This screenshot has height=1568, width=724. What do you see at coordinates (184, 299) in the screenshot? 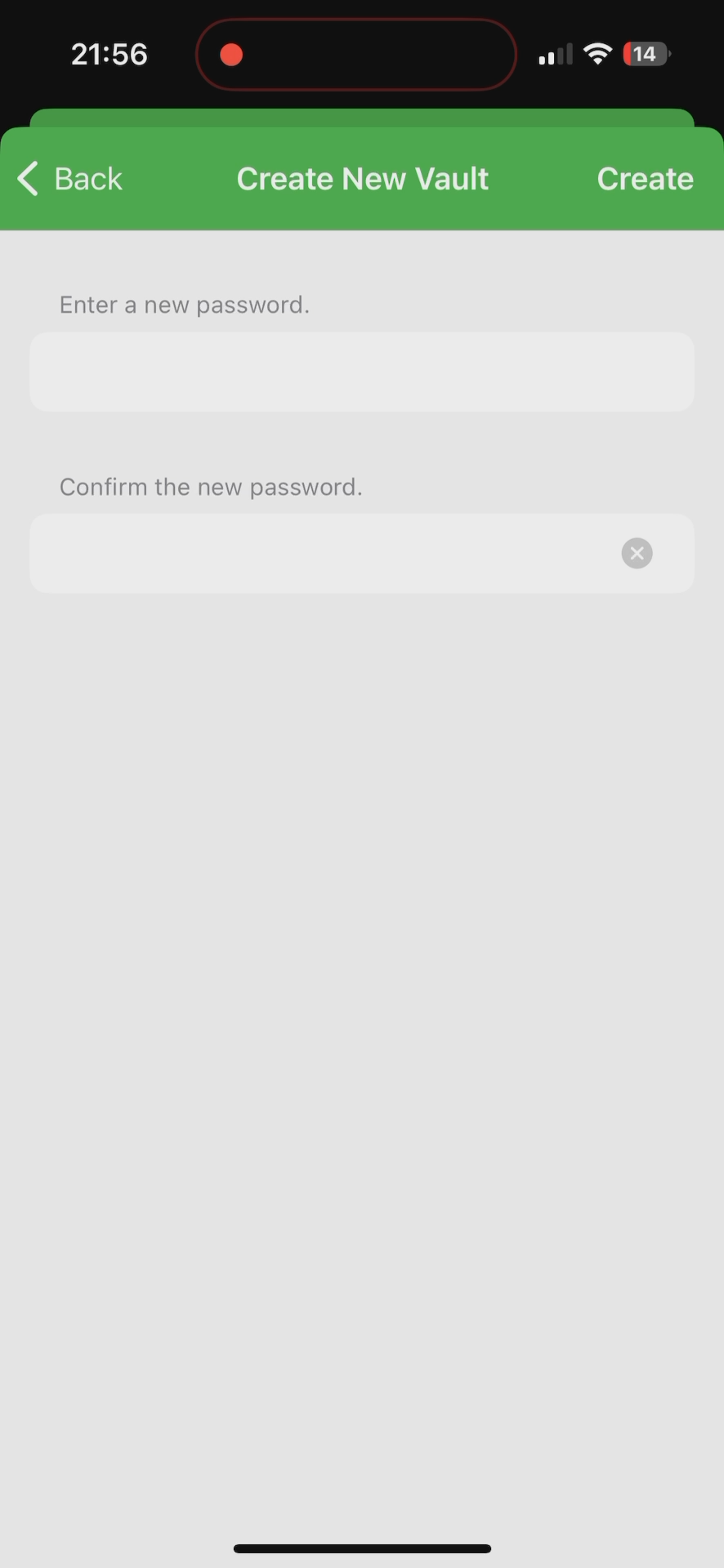
I see `enter a new password` at bounding box center [184, 299].